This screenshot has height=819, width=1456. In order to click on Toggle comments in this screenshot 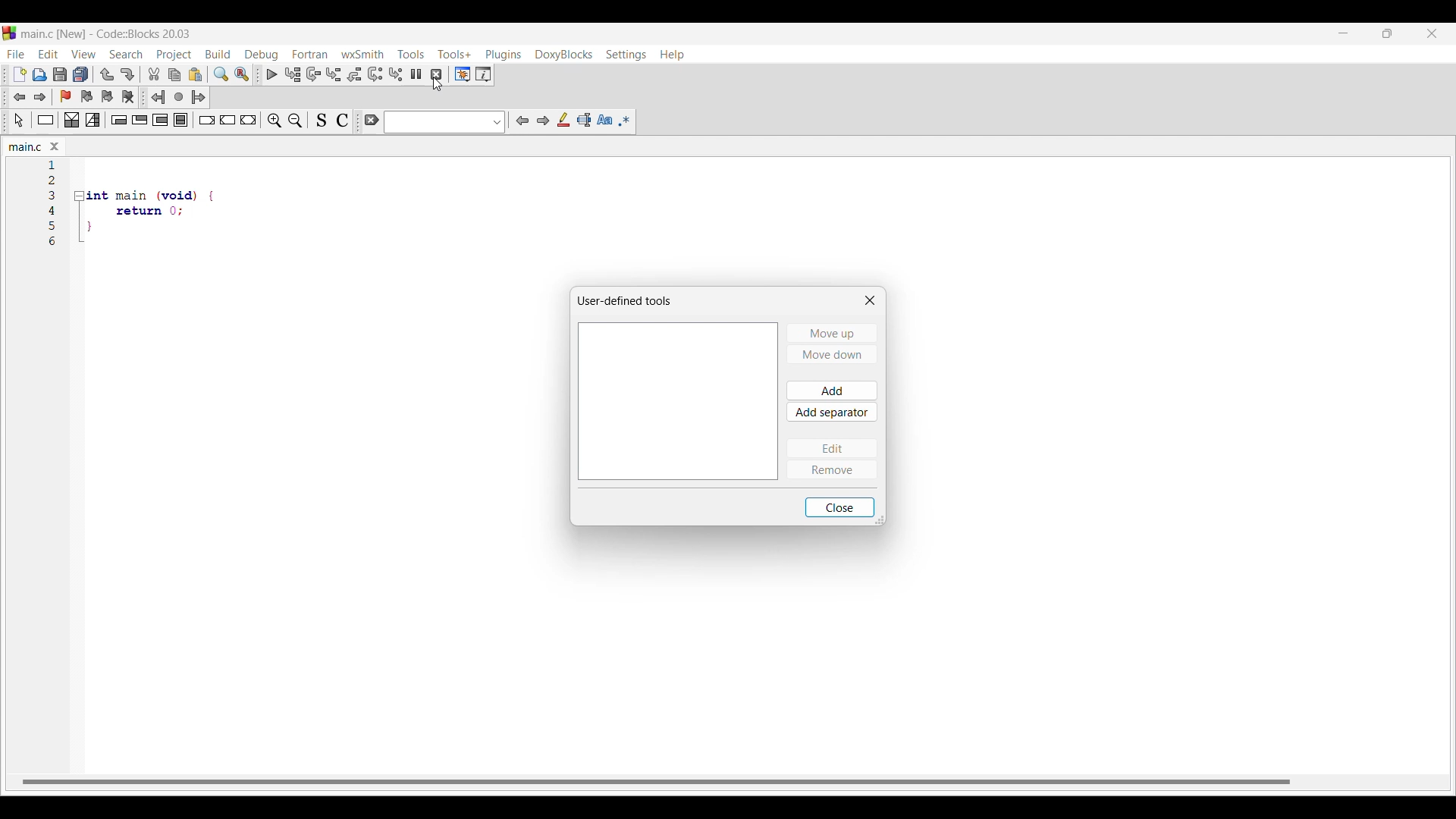, I will do `click(342, 122)`.